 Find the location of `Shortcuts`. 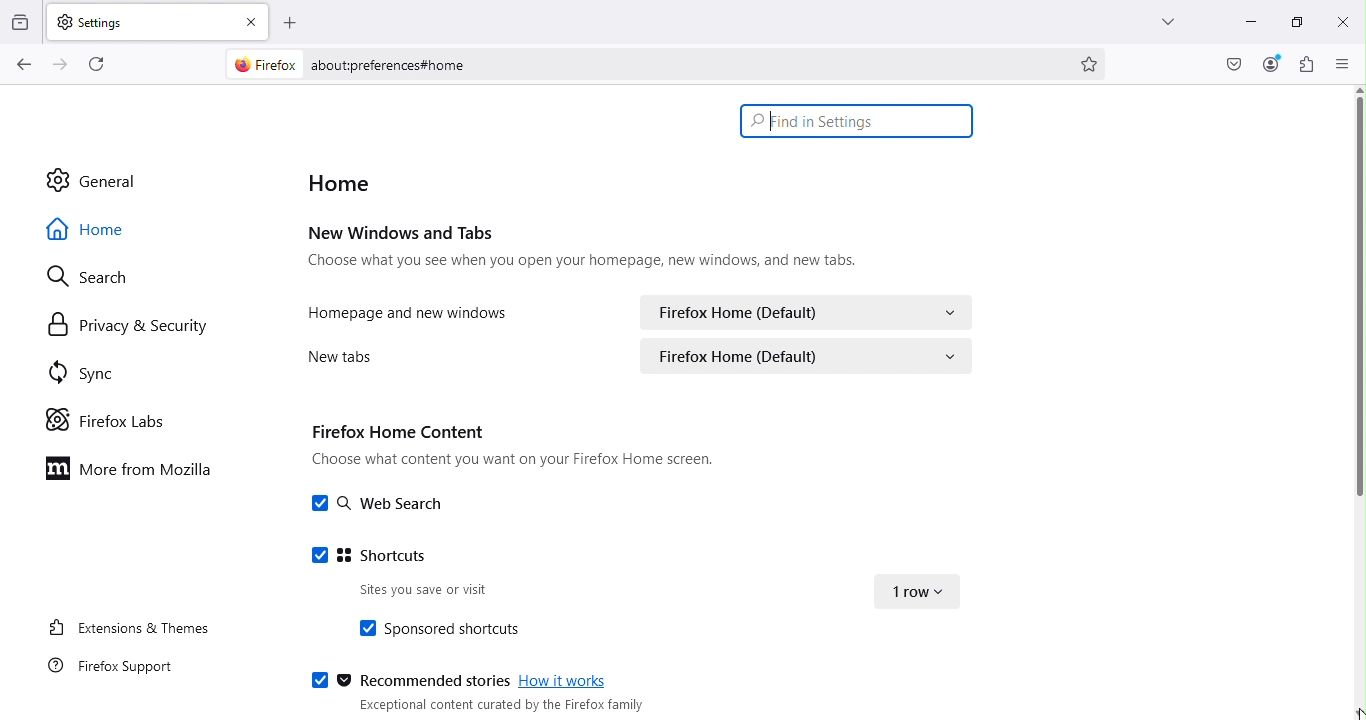

Shortcuts is located at coordinates (358, 555).